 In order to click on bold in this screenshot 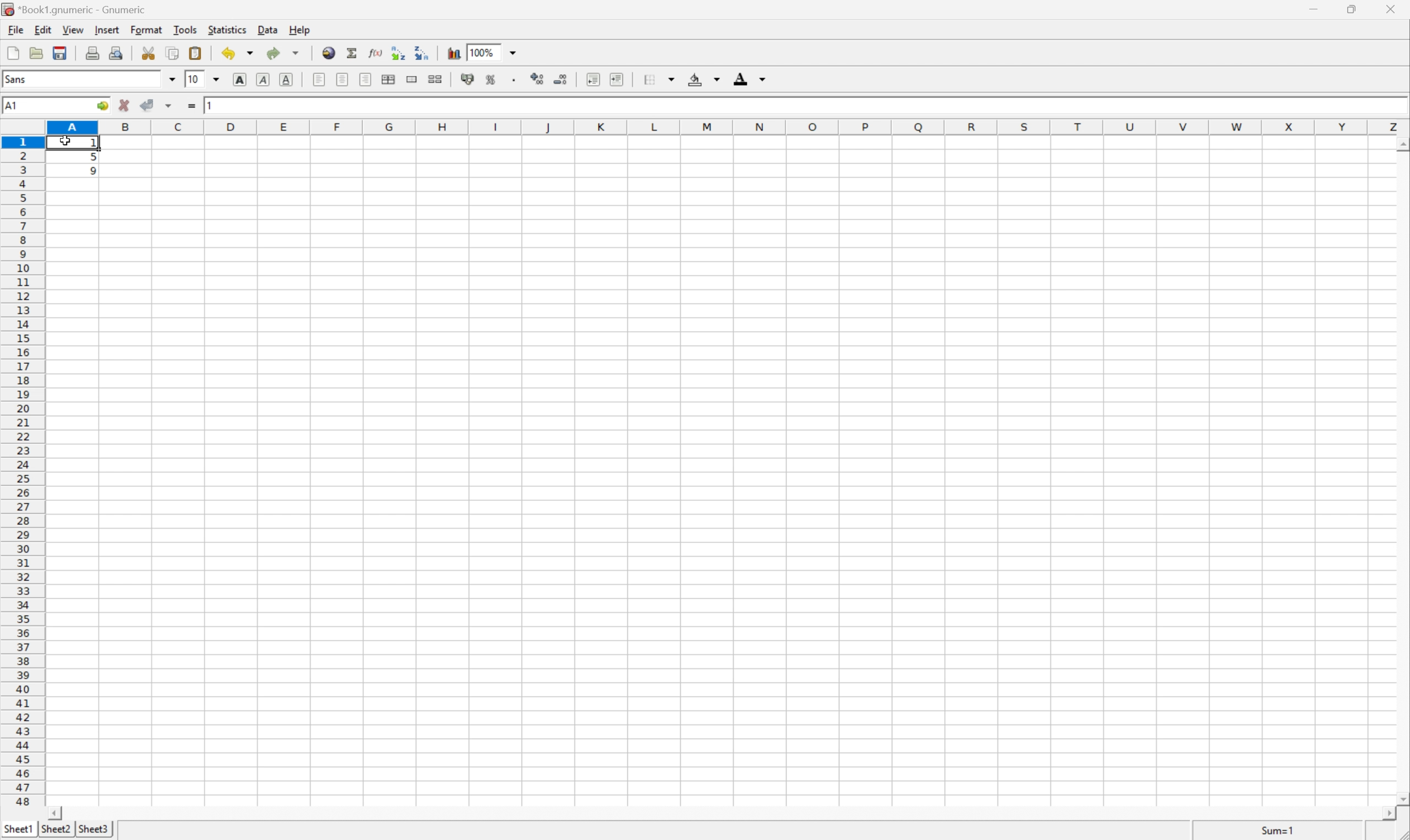, I will do `click(242, 80)`.